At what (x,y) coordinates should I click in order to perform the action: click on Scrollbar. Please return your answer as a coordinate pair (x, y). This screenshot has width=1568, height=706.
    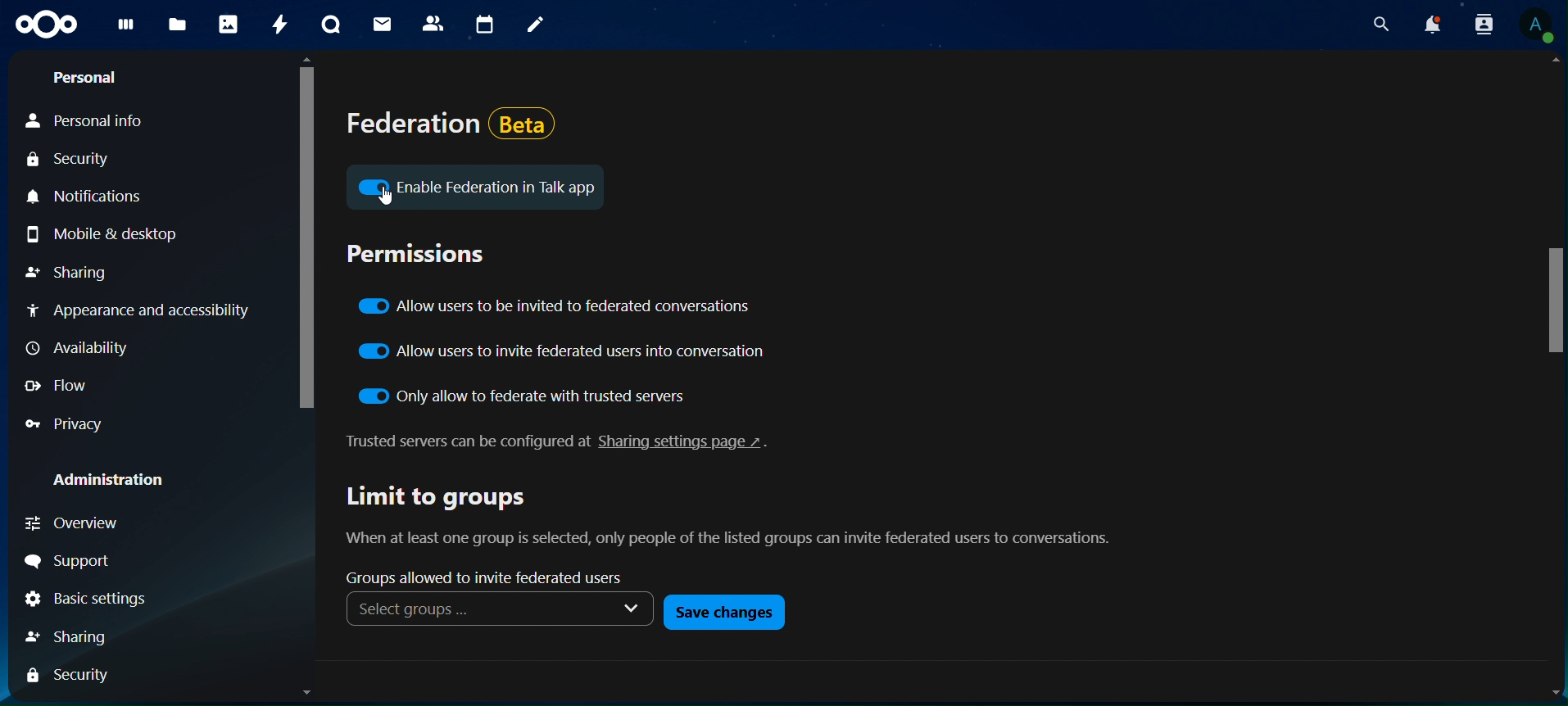
    Looking at the image, I should click on (1552, 376).